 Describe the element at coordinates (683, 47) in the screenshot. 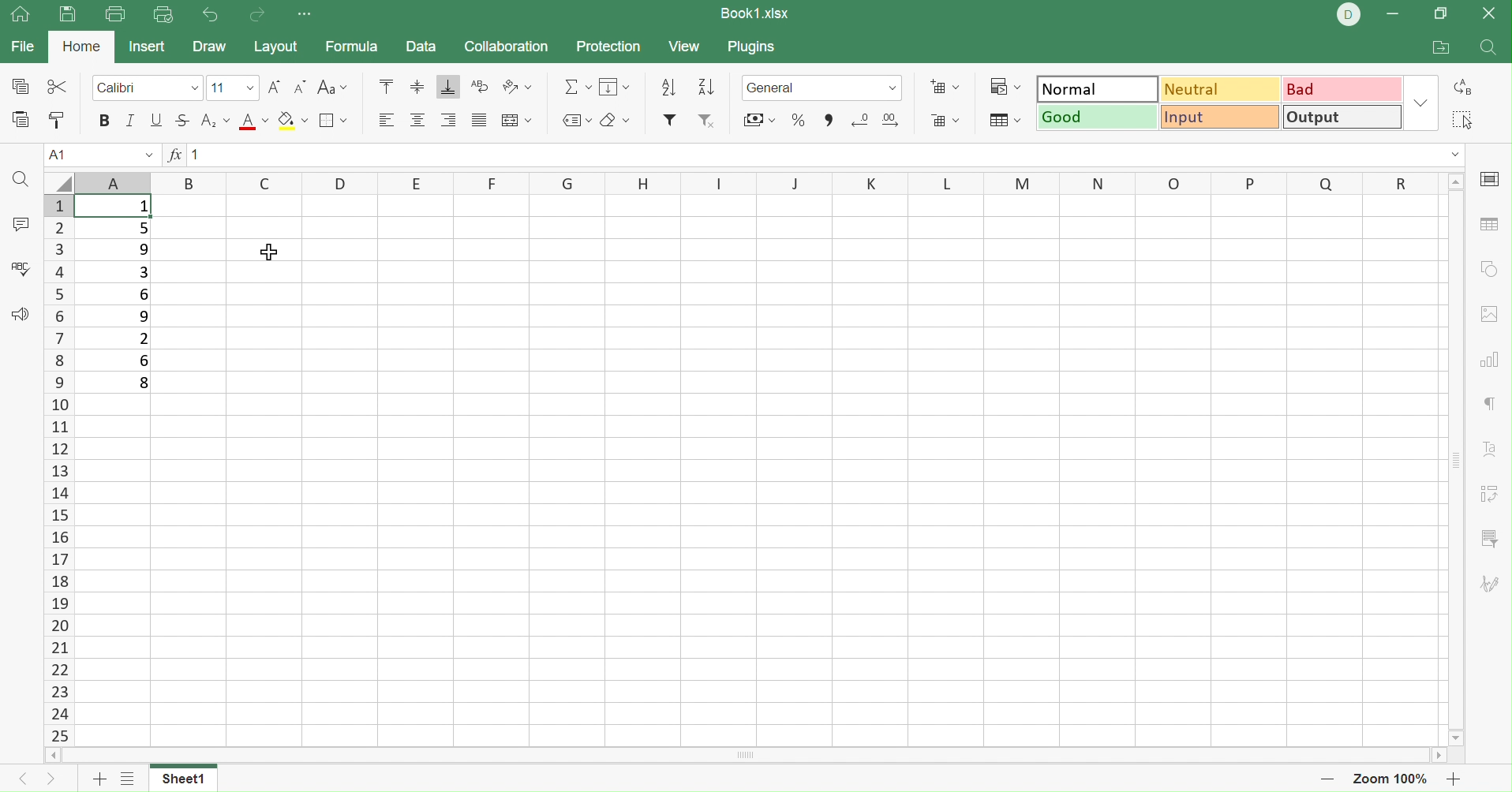

I see `View` at that location.